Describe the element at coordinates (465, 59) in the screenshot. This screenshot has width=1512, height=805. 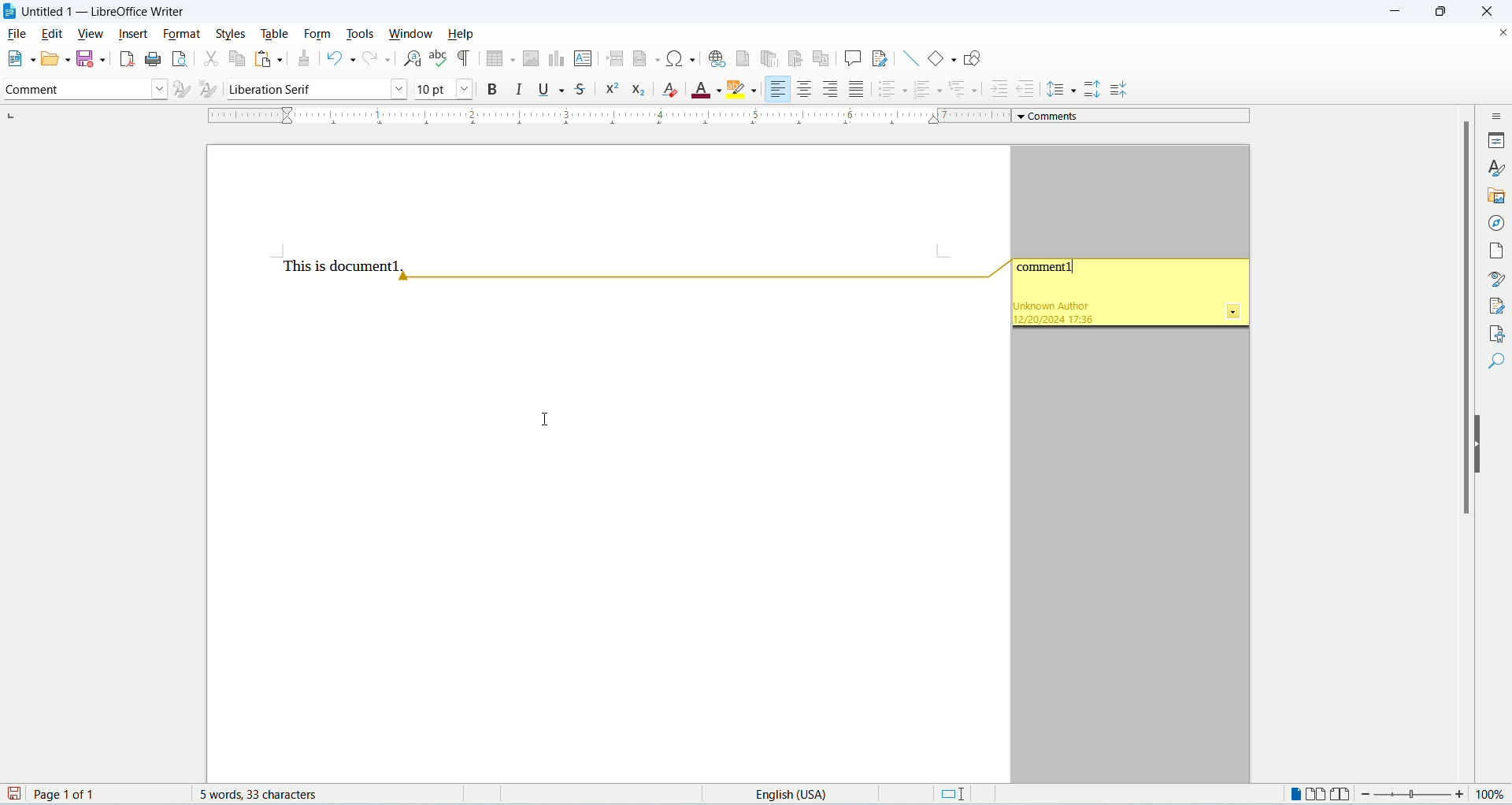
I see `formatting marks` at that location.